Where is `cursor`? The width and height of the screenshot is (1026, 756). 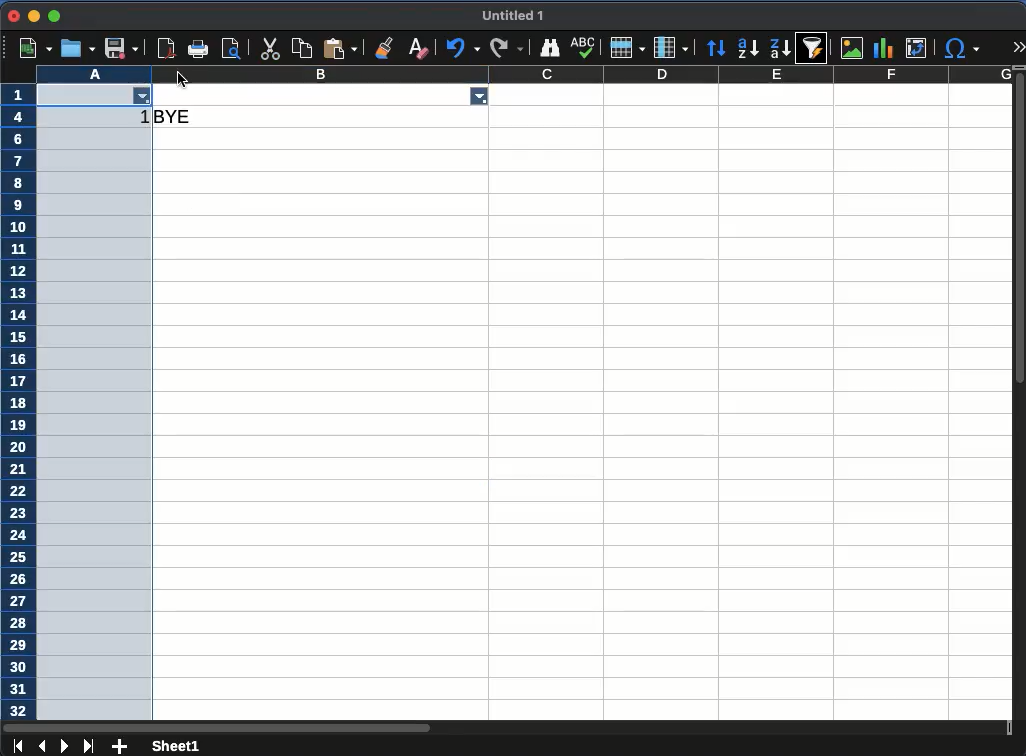 cursor is located at coordinates (183, 80).